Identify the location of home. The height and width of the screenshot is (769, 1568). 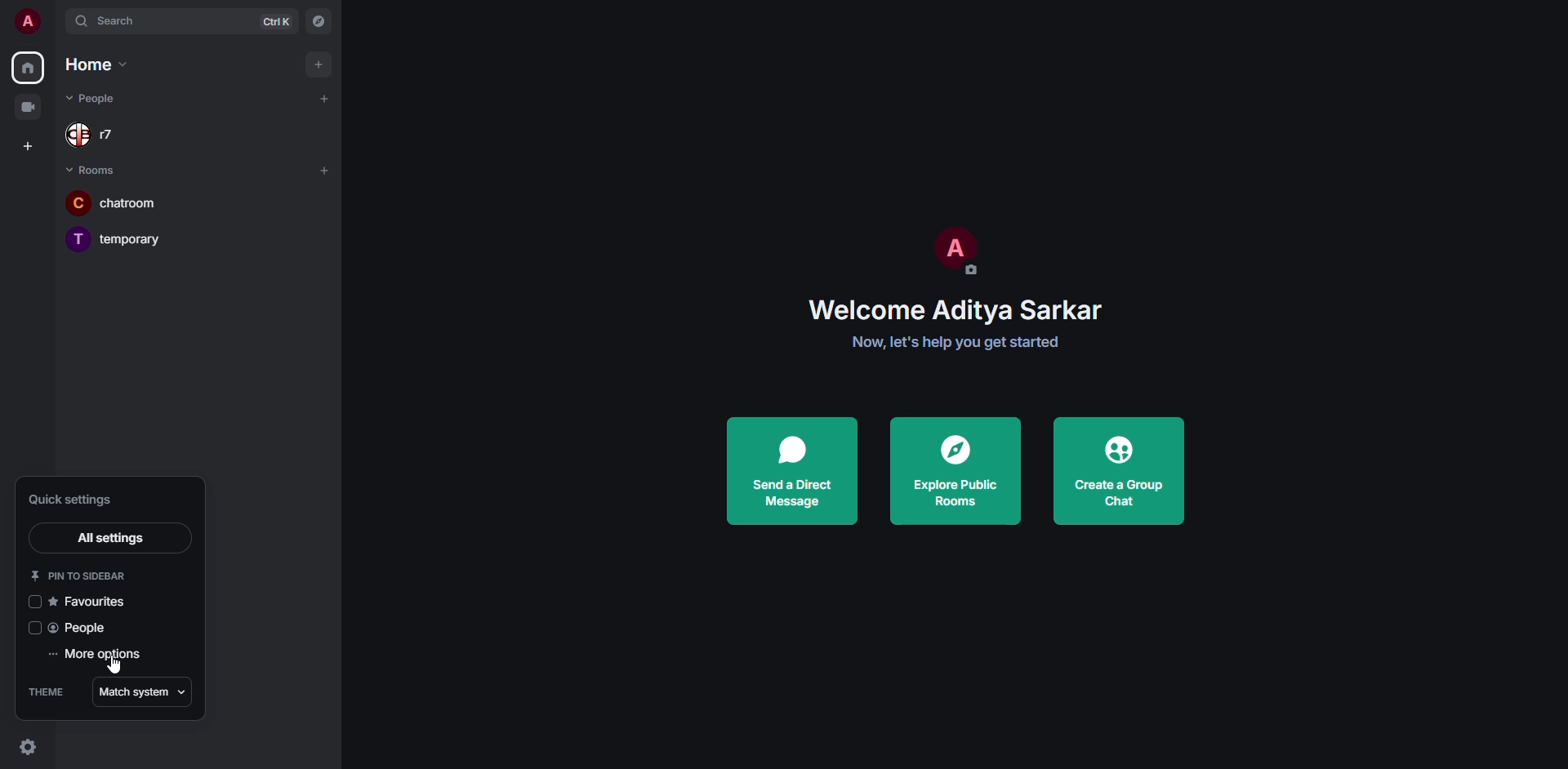
(93, 63).